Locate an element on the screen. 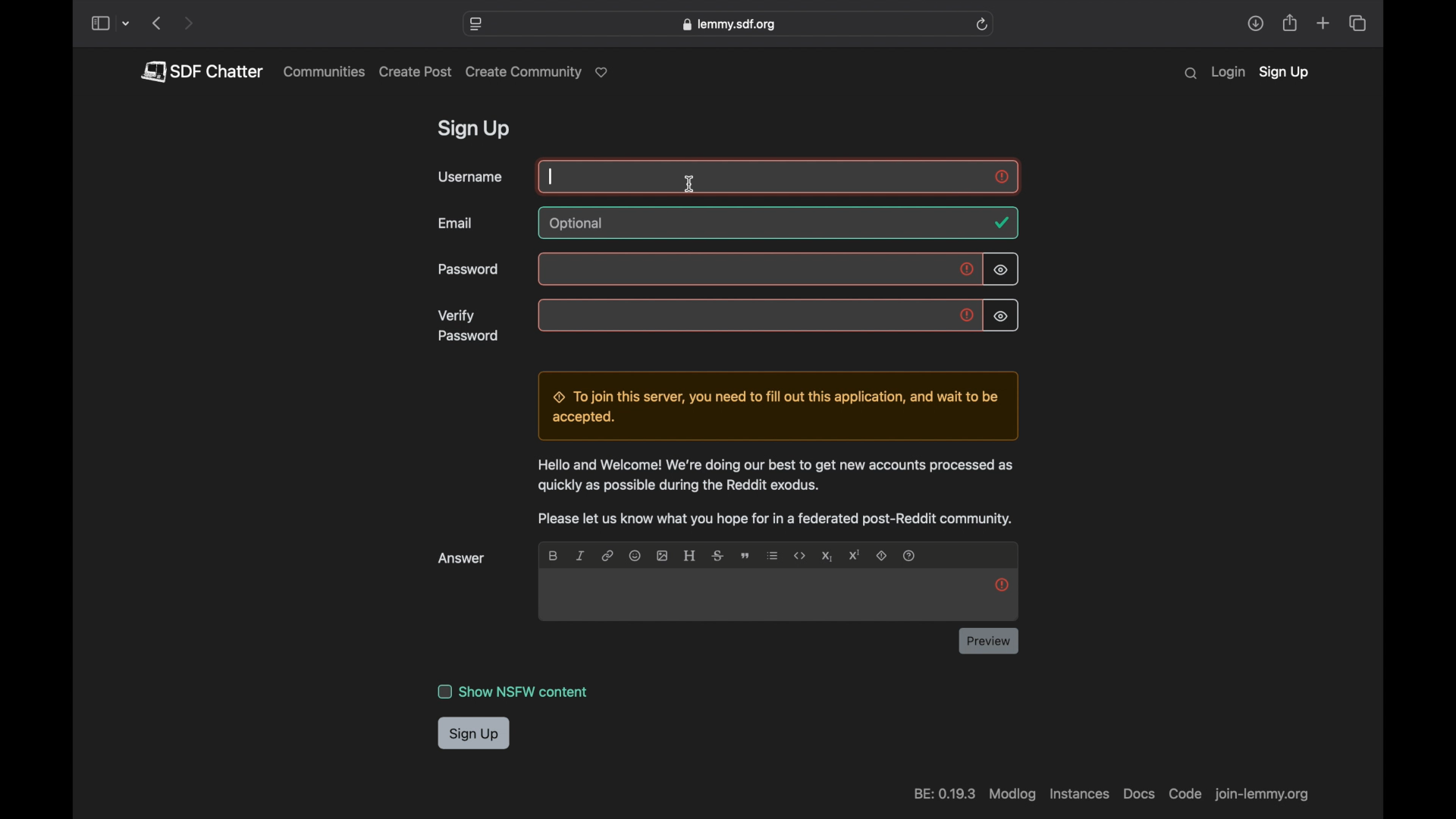  i beam cursor is located at coordinates (691, 184).